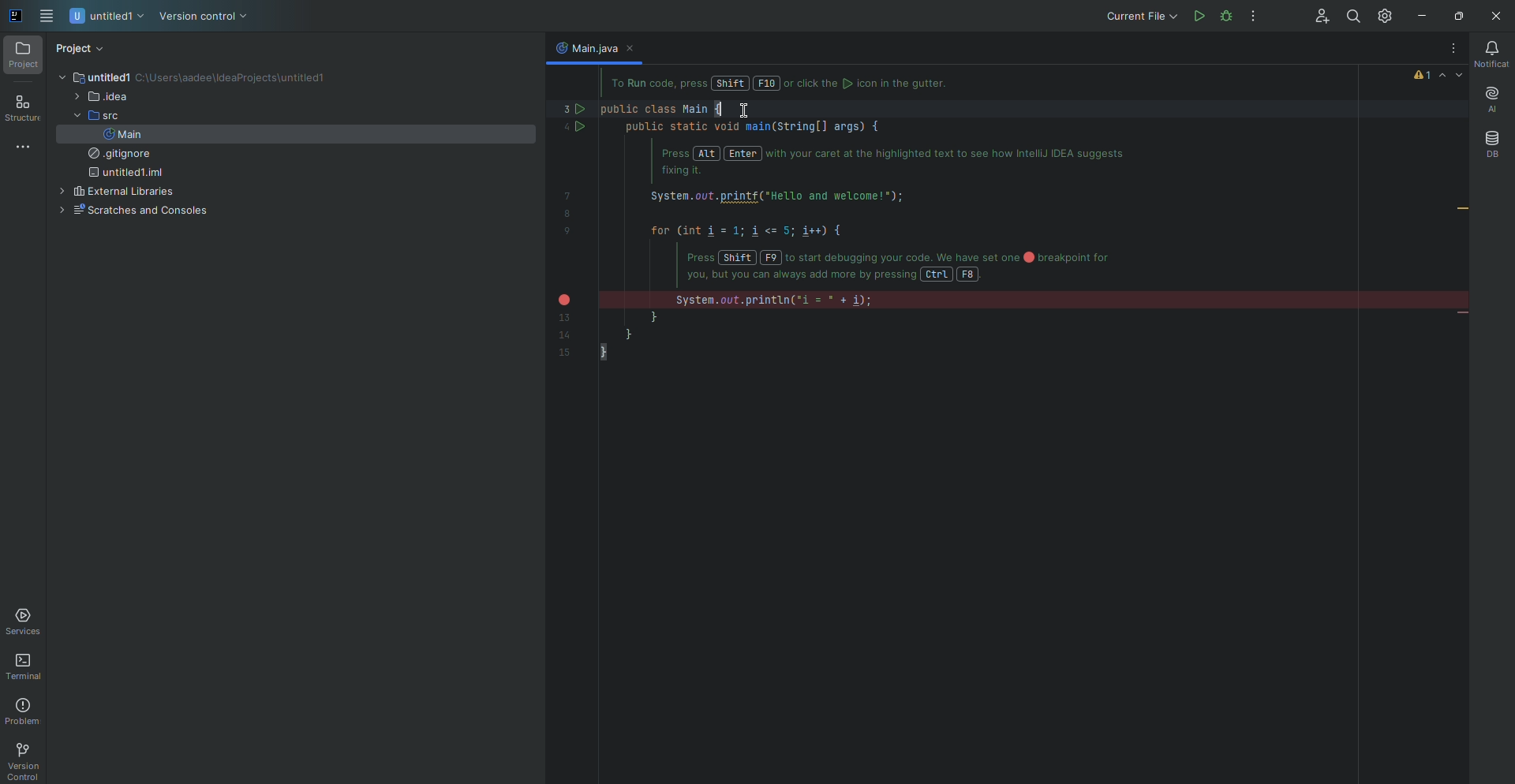  I want to click on Code, so click(873, 231).